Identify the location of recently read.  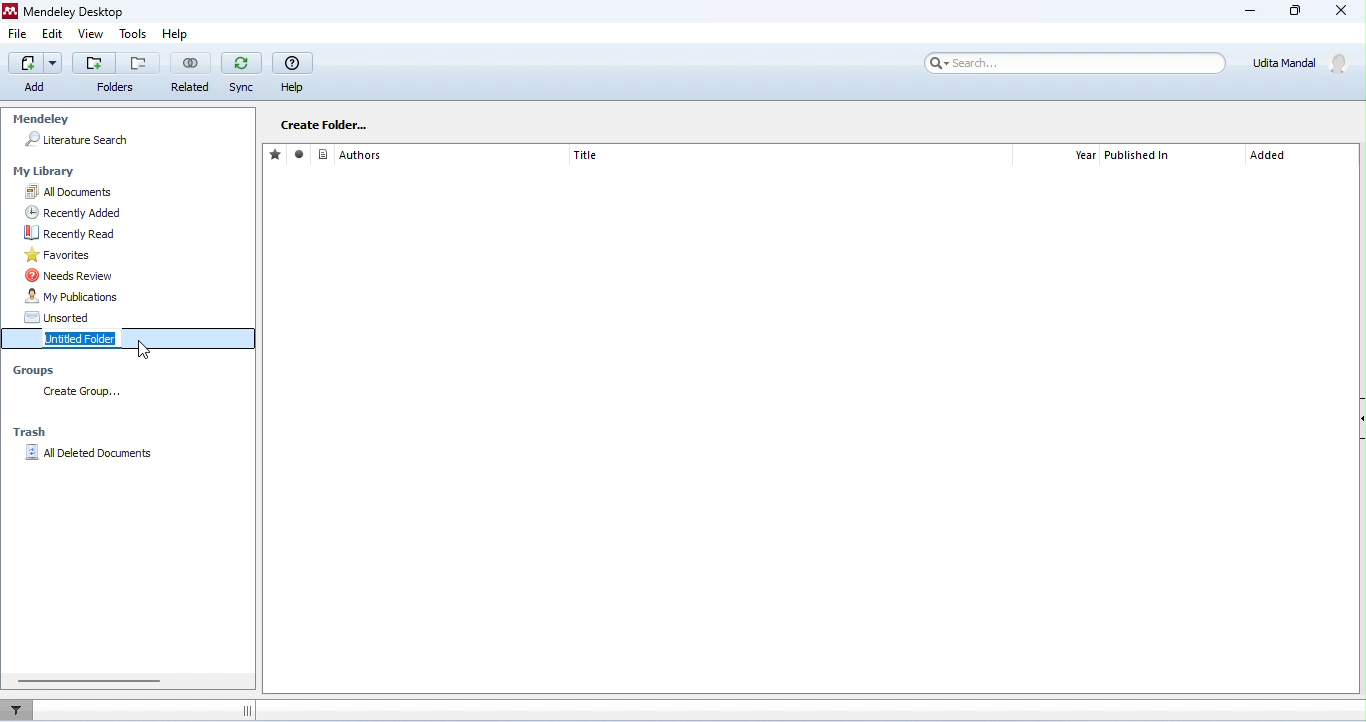
(138, 233).